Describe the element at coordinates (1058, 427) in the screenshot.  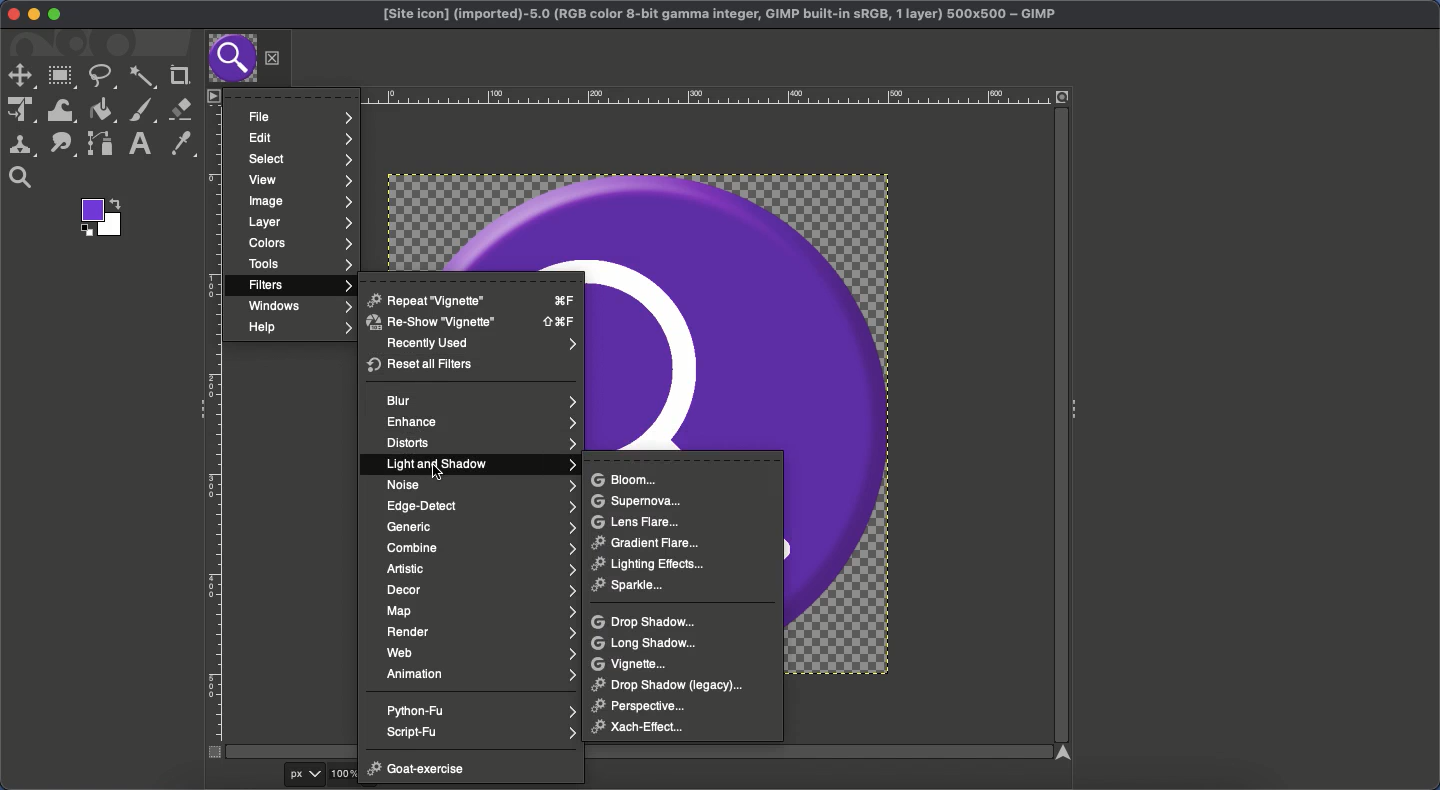
I see `Scroll` at that location.